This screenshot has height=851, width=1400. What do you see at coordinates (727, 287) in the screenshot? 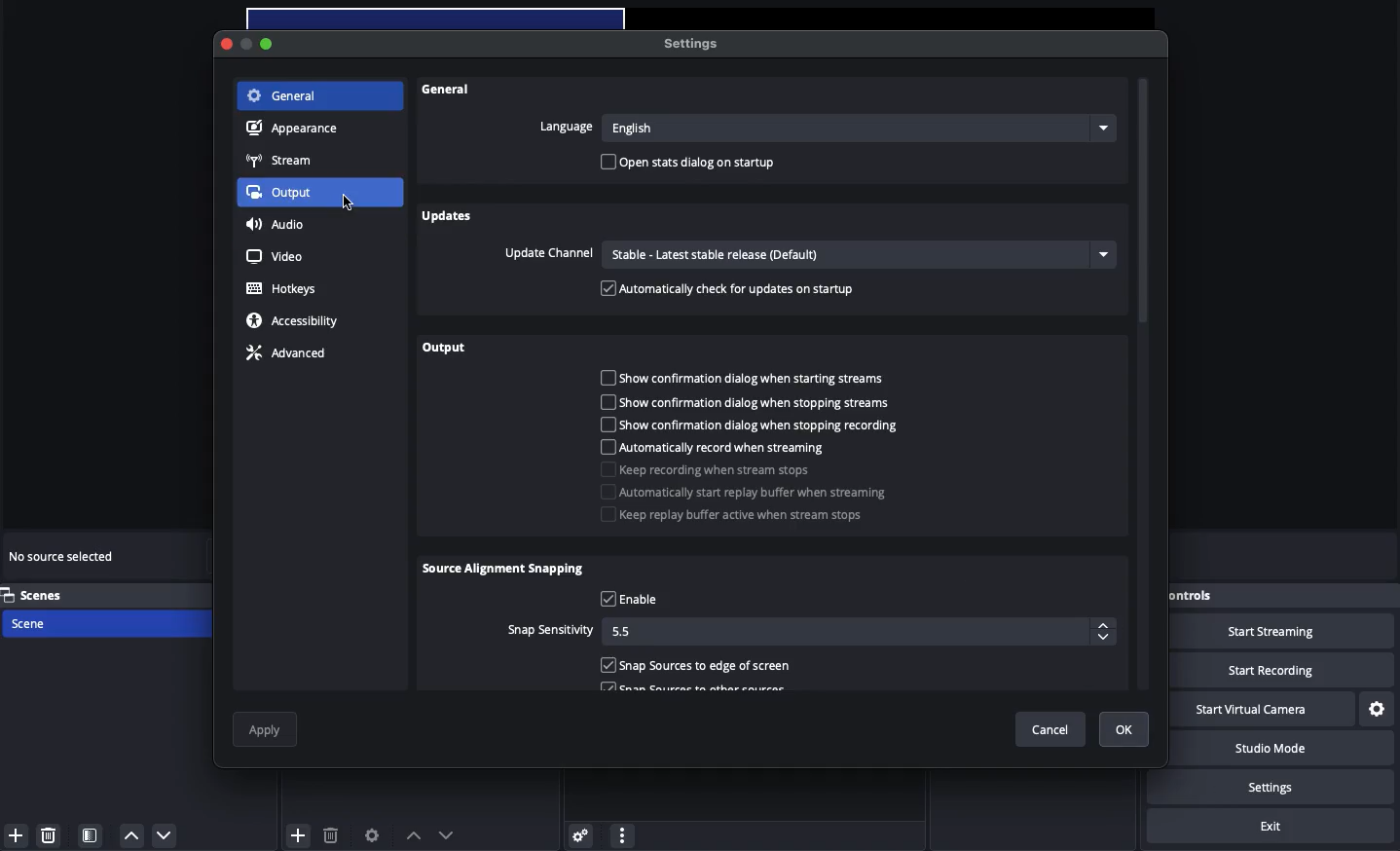
I see `Automatically check for updates on startup` at bounding box center [727, 287].